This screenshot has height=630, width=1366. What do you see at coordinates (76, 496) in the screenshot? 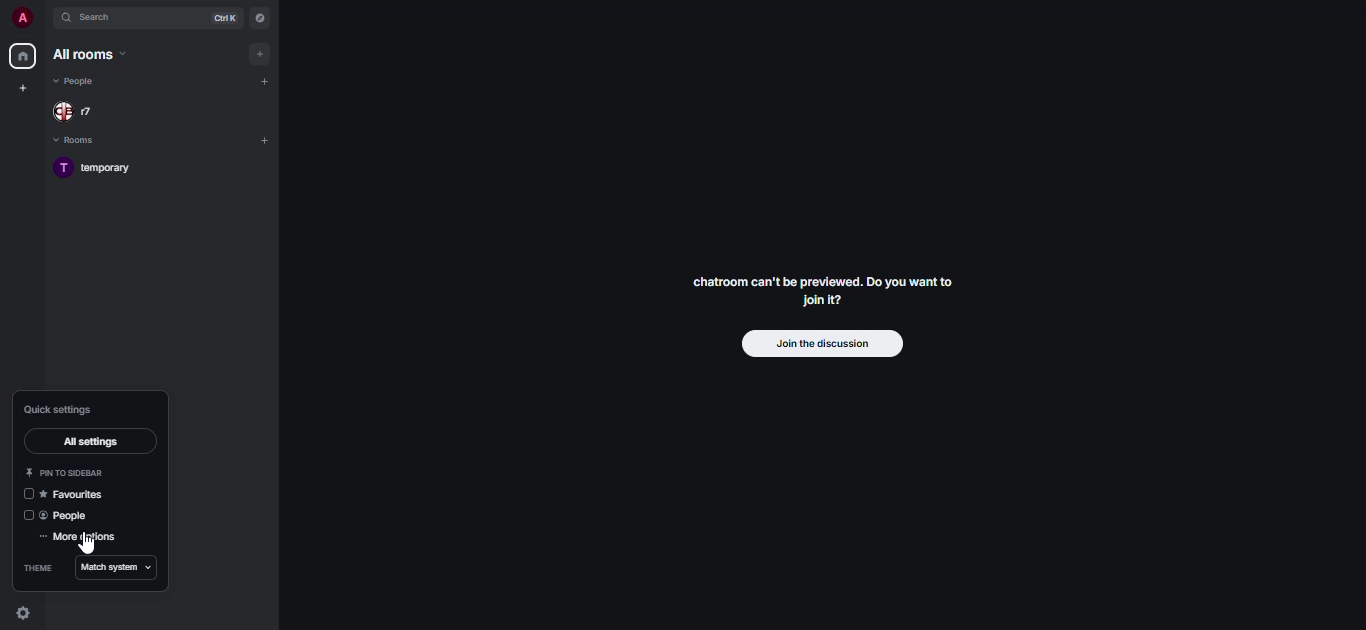
I see `favorites` at bounding box center [76, 496].